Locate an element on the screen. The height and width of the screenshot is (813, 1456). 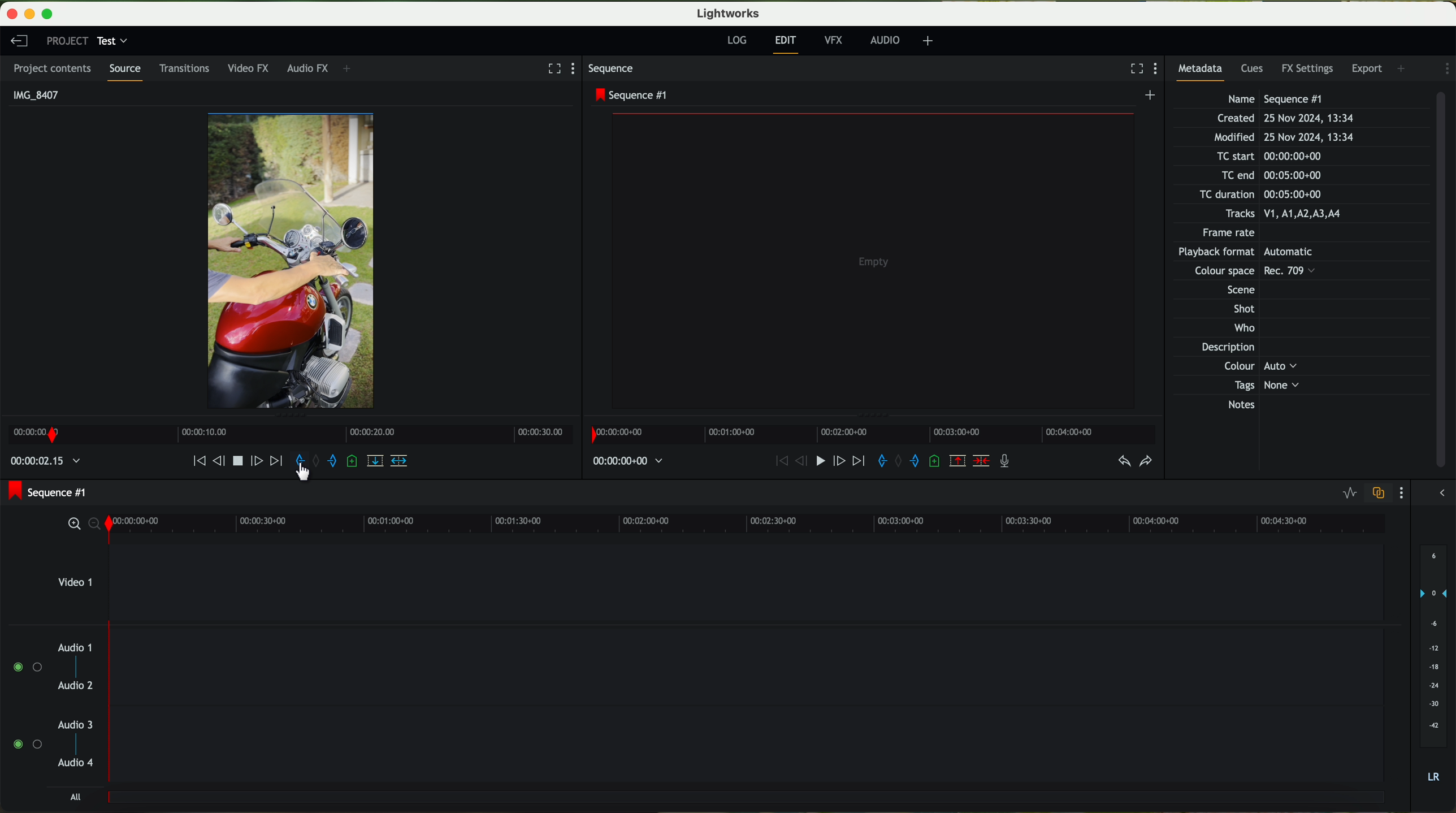
sequence #1 is located at coordinates (49, 492).